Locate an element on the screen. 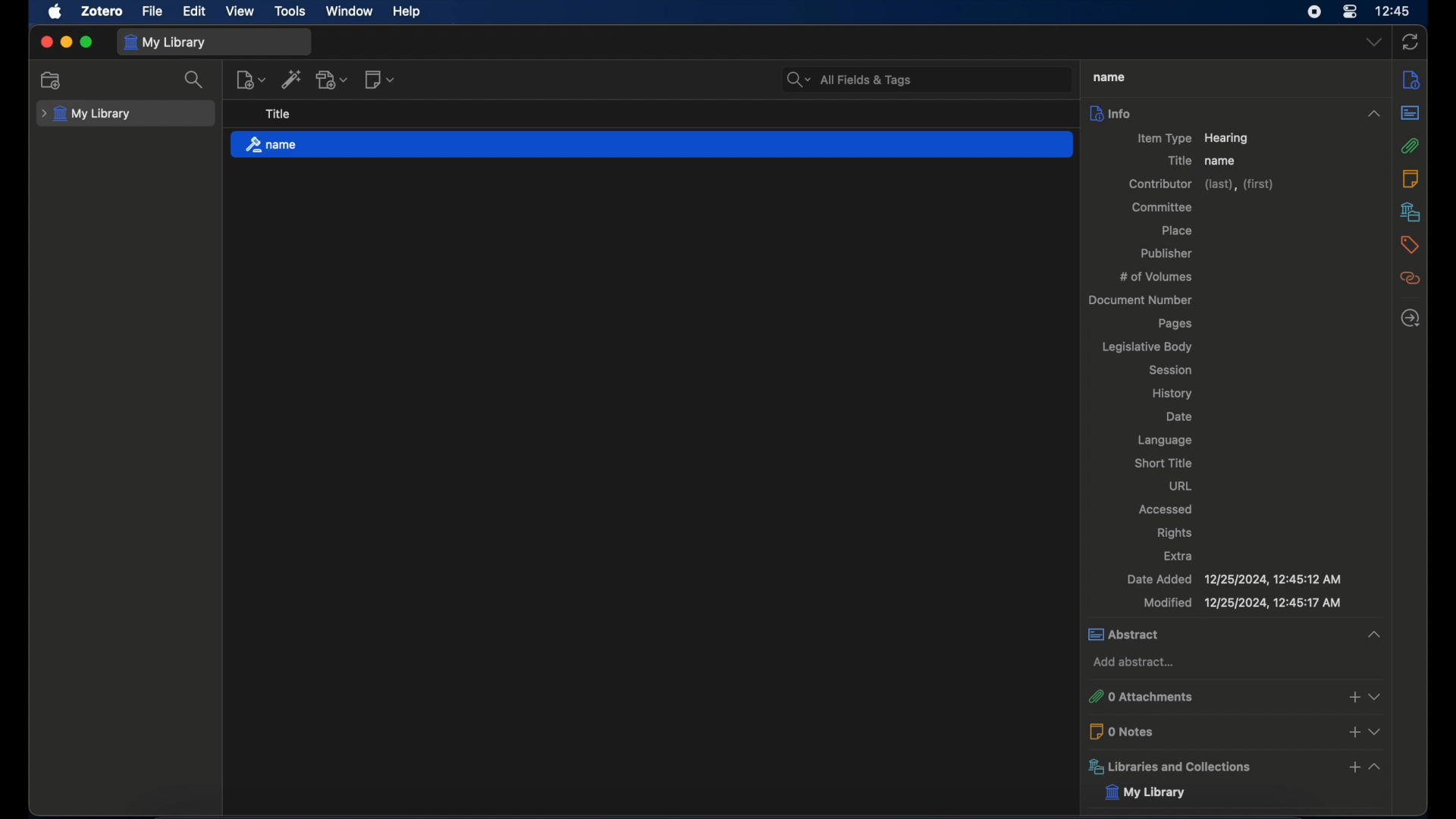 Image resolution: width=1456 pixels, height=819 pixels. locate is located at coordinates (1411, 318).